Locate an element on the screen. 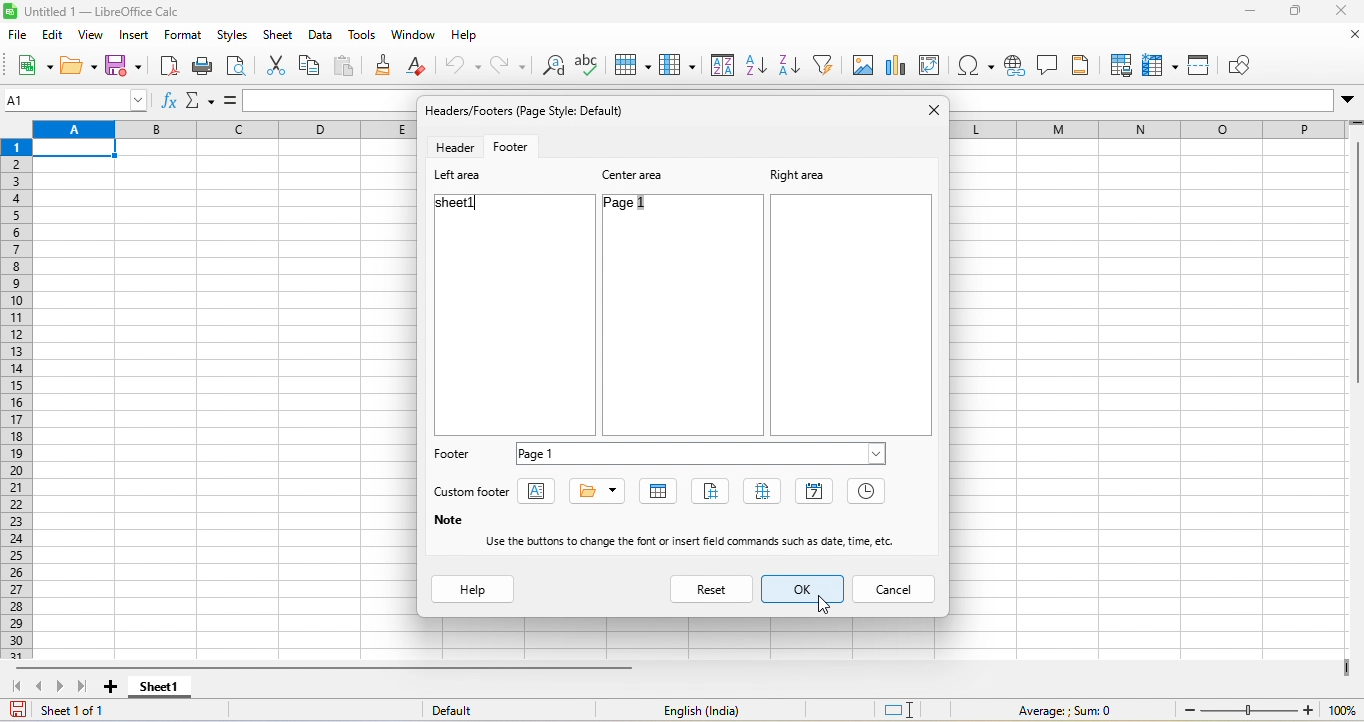 The image size is (1364, 722). sheet is located at coordinates (279, 37).